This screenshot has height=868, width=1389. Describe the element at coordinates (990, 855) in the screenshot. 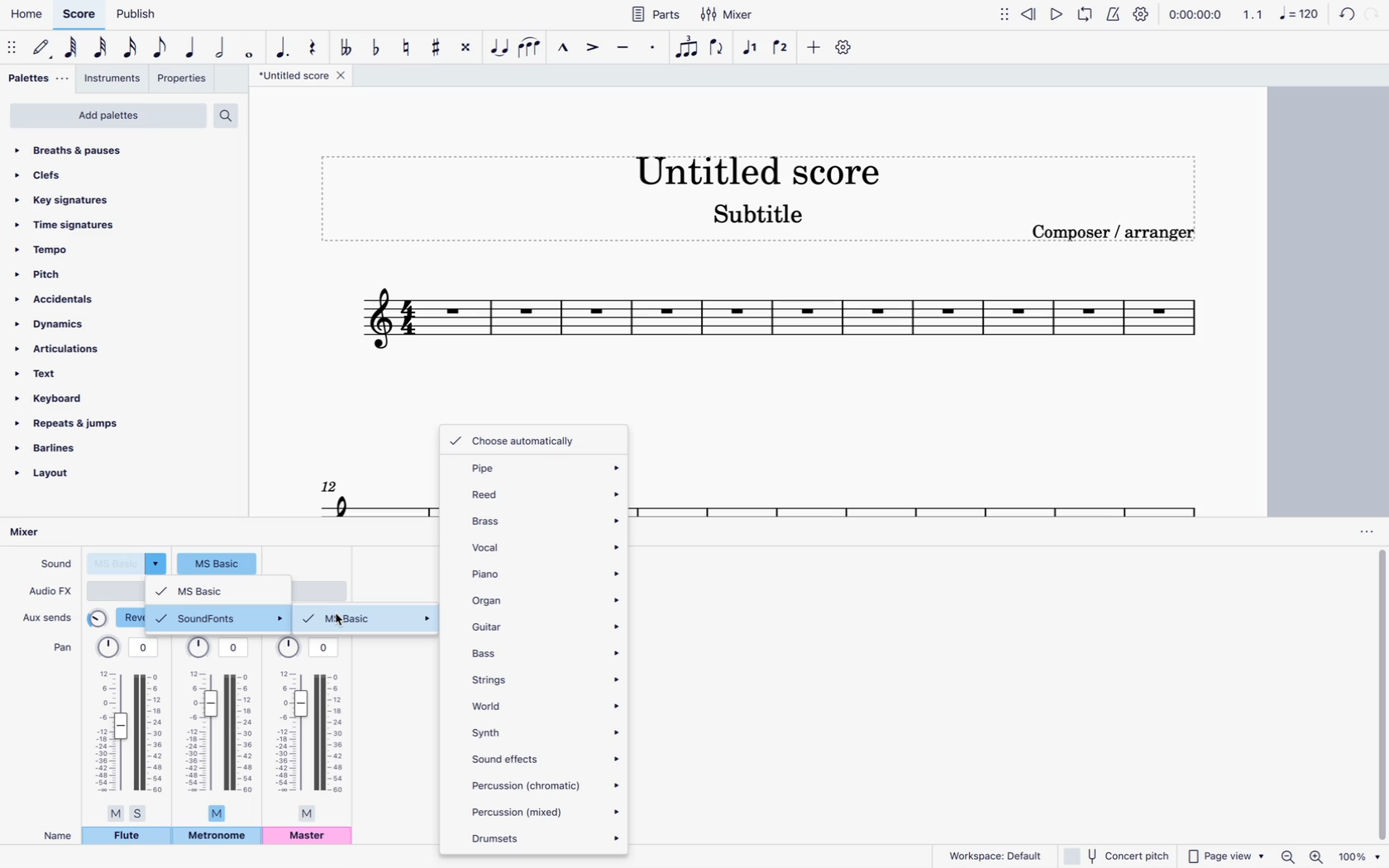

I see `workspace` at that location.